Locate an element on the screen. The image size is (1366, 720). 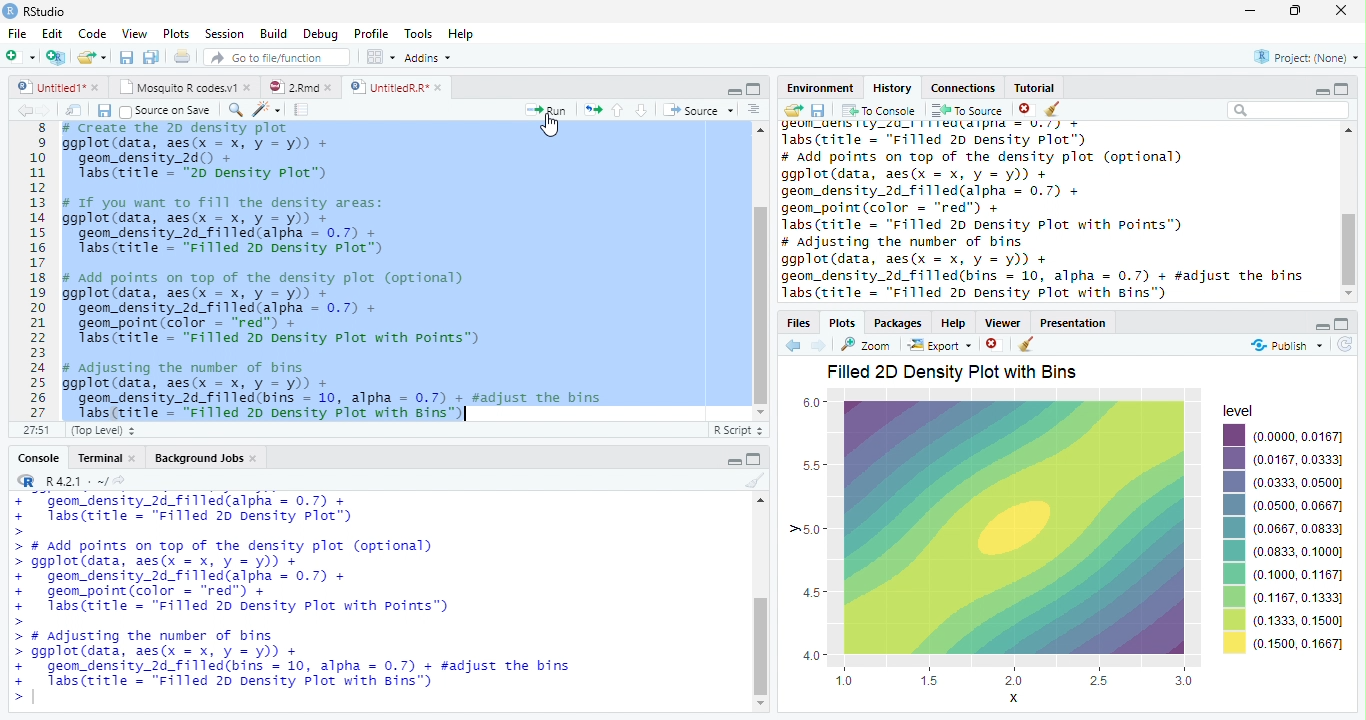
Publish is located at coordinates (1286, 345).